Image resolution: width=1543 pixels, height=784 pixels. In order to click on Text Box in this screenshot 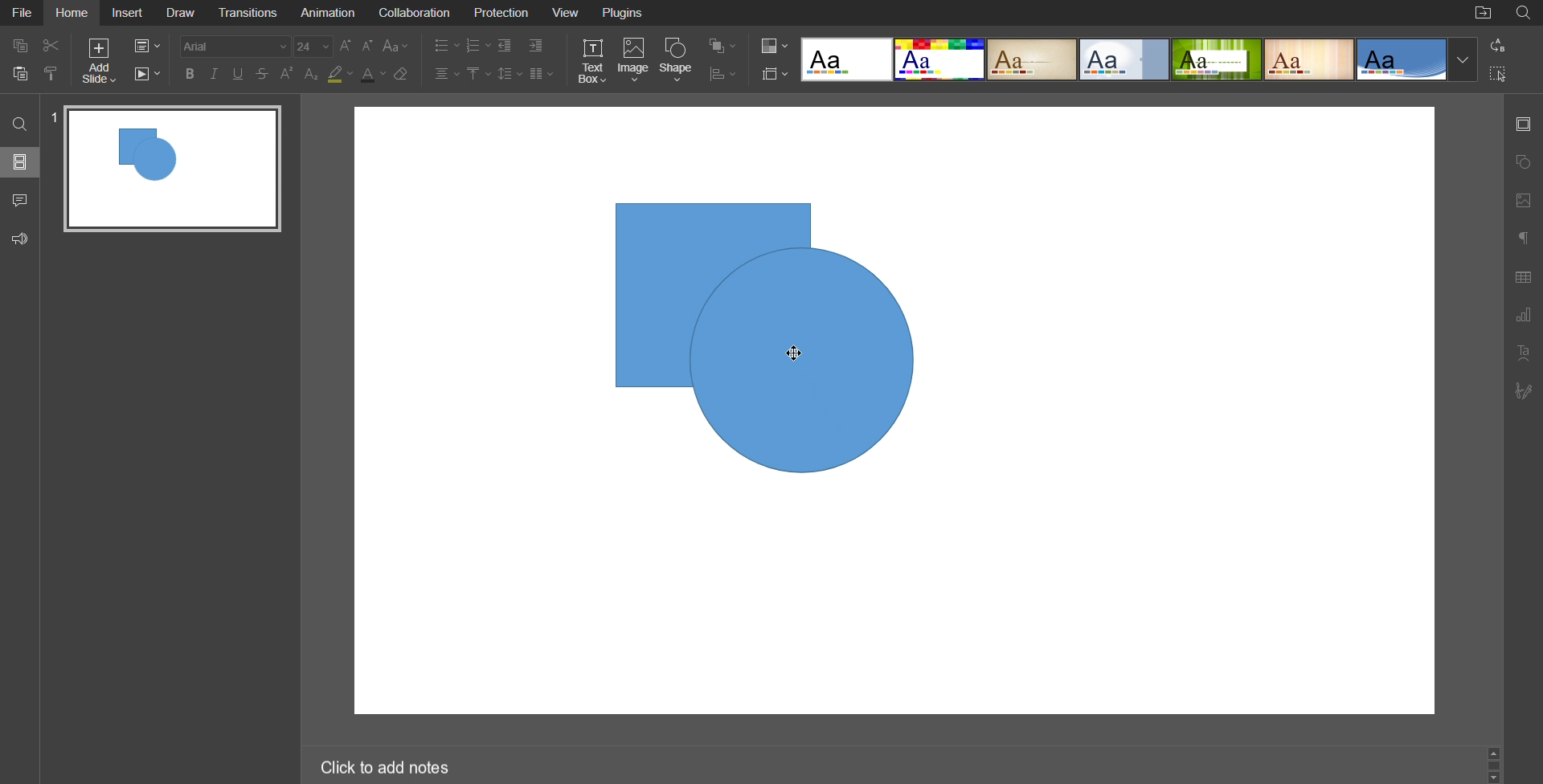, I will do `click(591, 62)`.